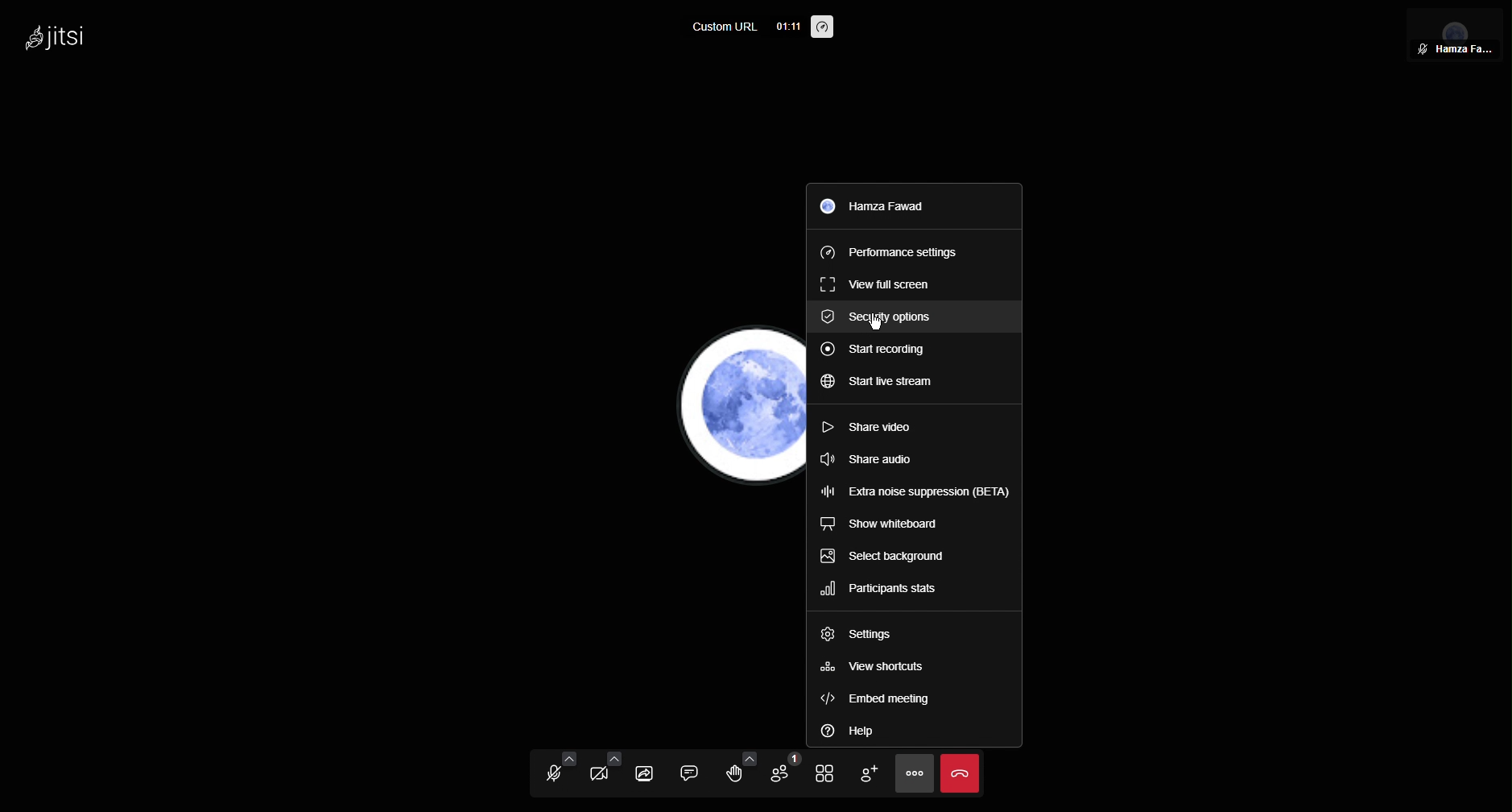 This screenshot has height=812, width=1512. What do you see at coordinates (828, 774) in the screenshot?
I see `Tile View` at bounding box center [828, 774].